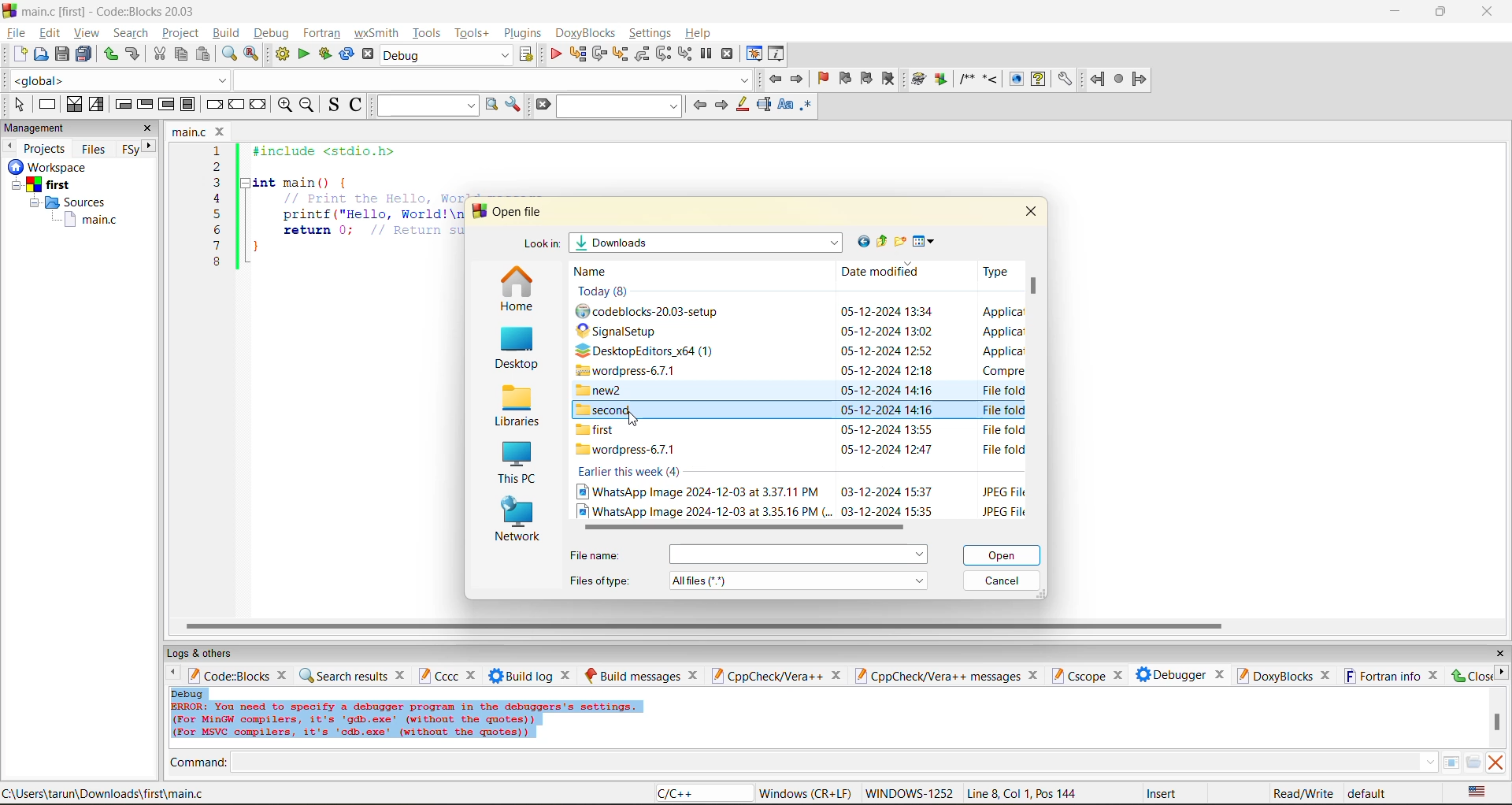 The height and width of the screenshot is (805, 1512). What do you see at coordinates (97, 105) in the screenshot?
I see `selection` at bounding box center [97, 105].